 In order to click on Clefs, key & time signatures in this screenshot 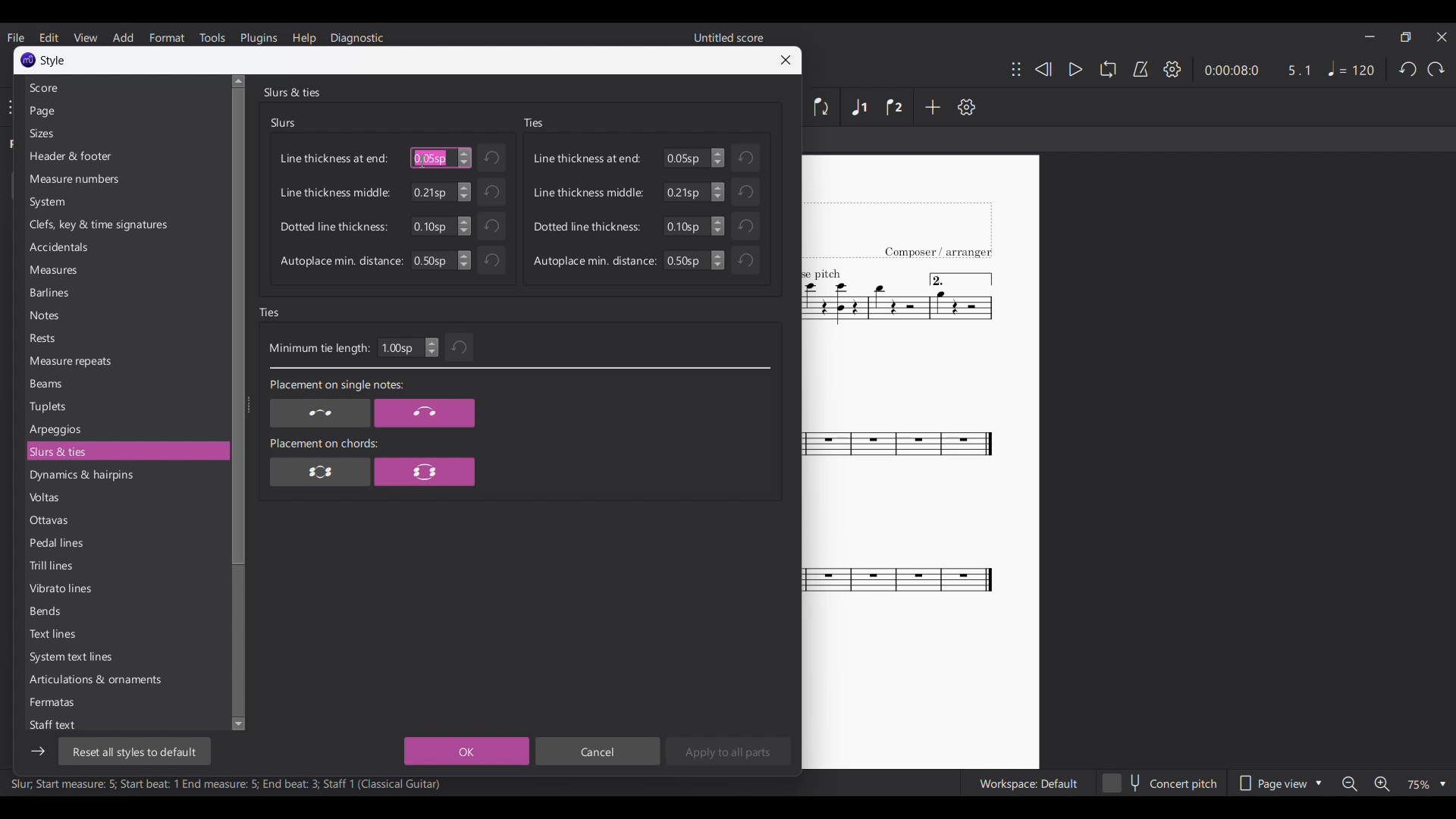, I will do `click(125, 225)`.